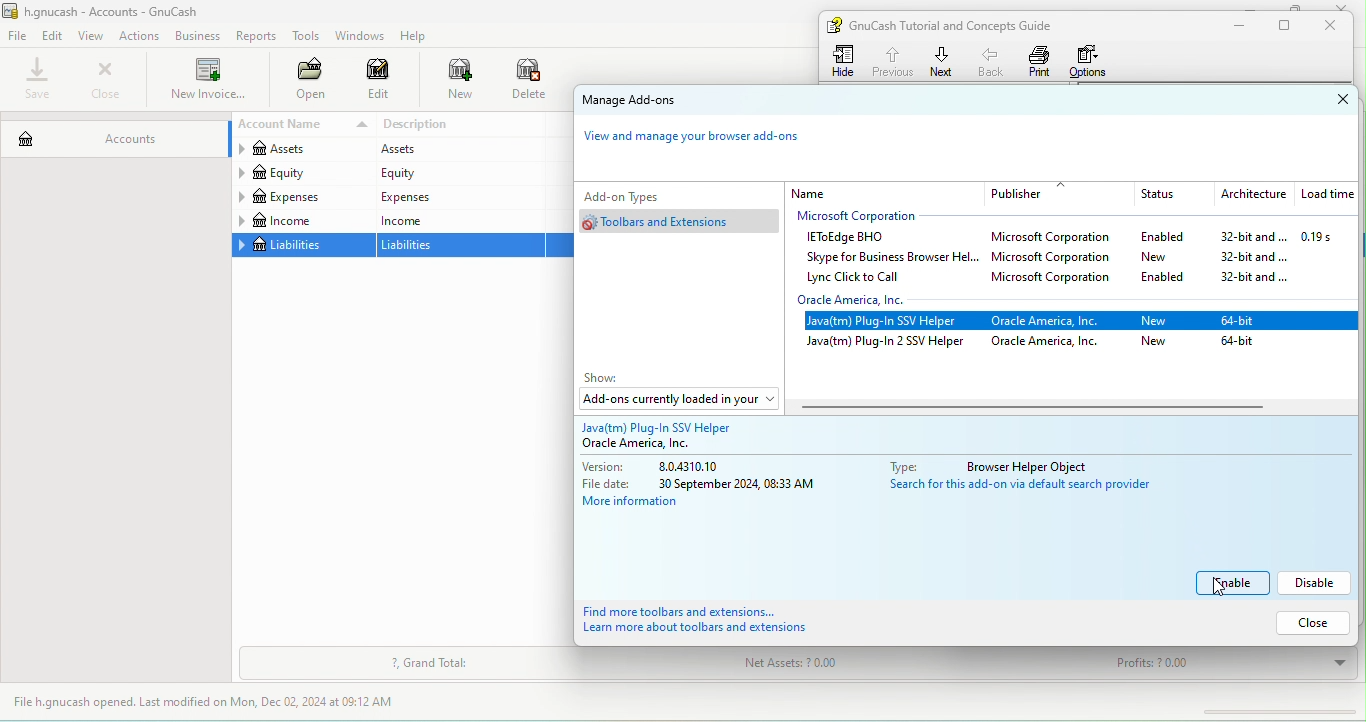  I want to click on enabled, so click(1170, 276).